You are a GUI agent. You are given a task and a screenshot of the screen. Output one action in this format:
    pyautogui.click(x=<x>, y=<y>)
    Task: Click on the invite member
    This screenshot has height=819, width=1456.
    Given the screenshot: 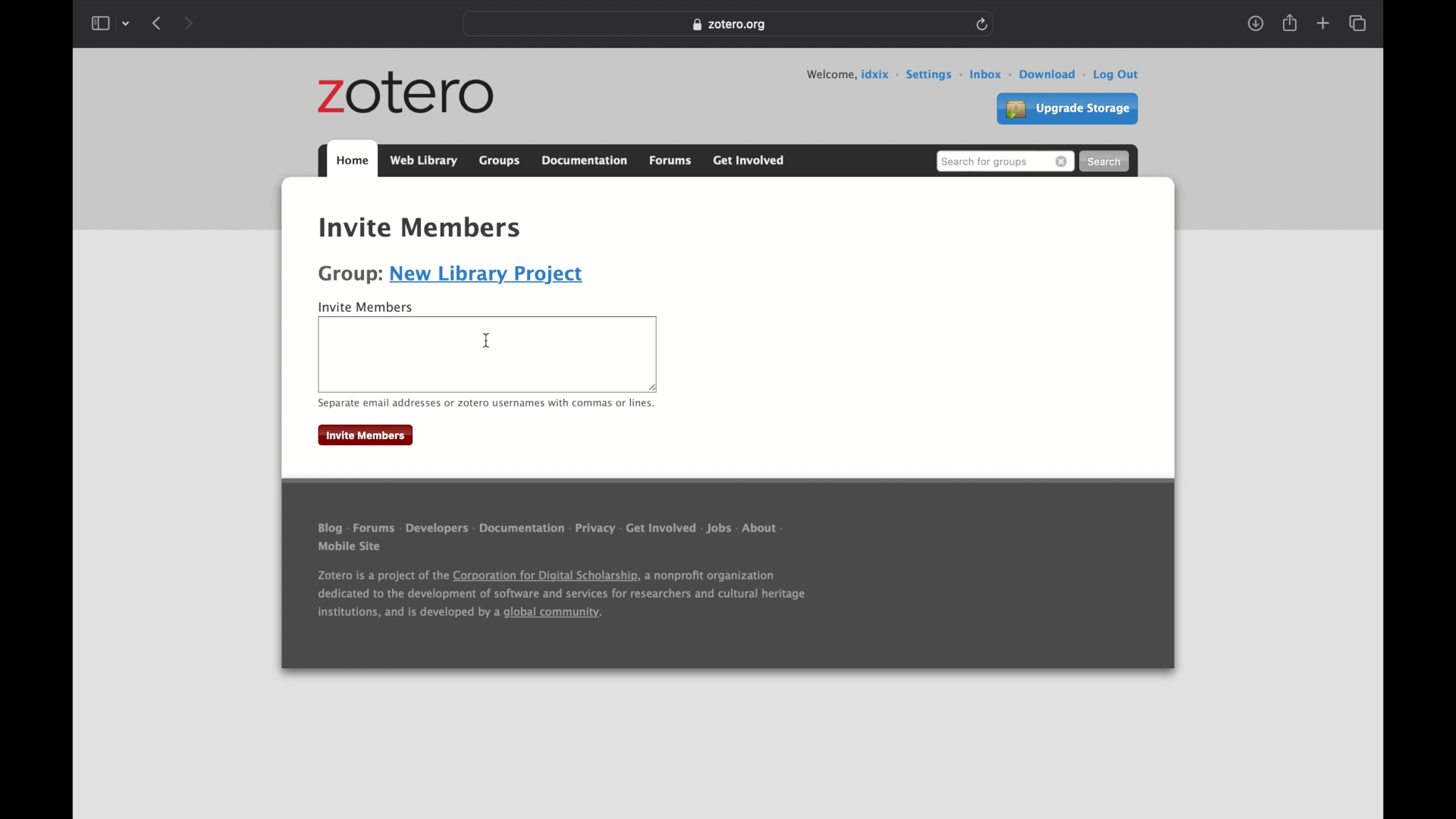 What is the action you would take?
    pyautogui.click(x=366, y=307)
    